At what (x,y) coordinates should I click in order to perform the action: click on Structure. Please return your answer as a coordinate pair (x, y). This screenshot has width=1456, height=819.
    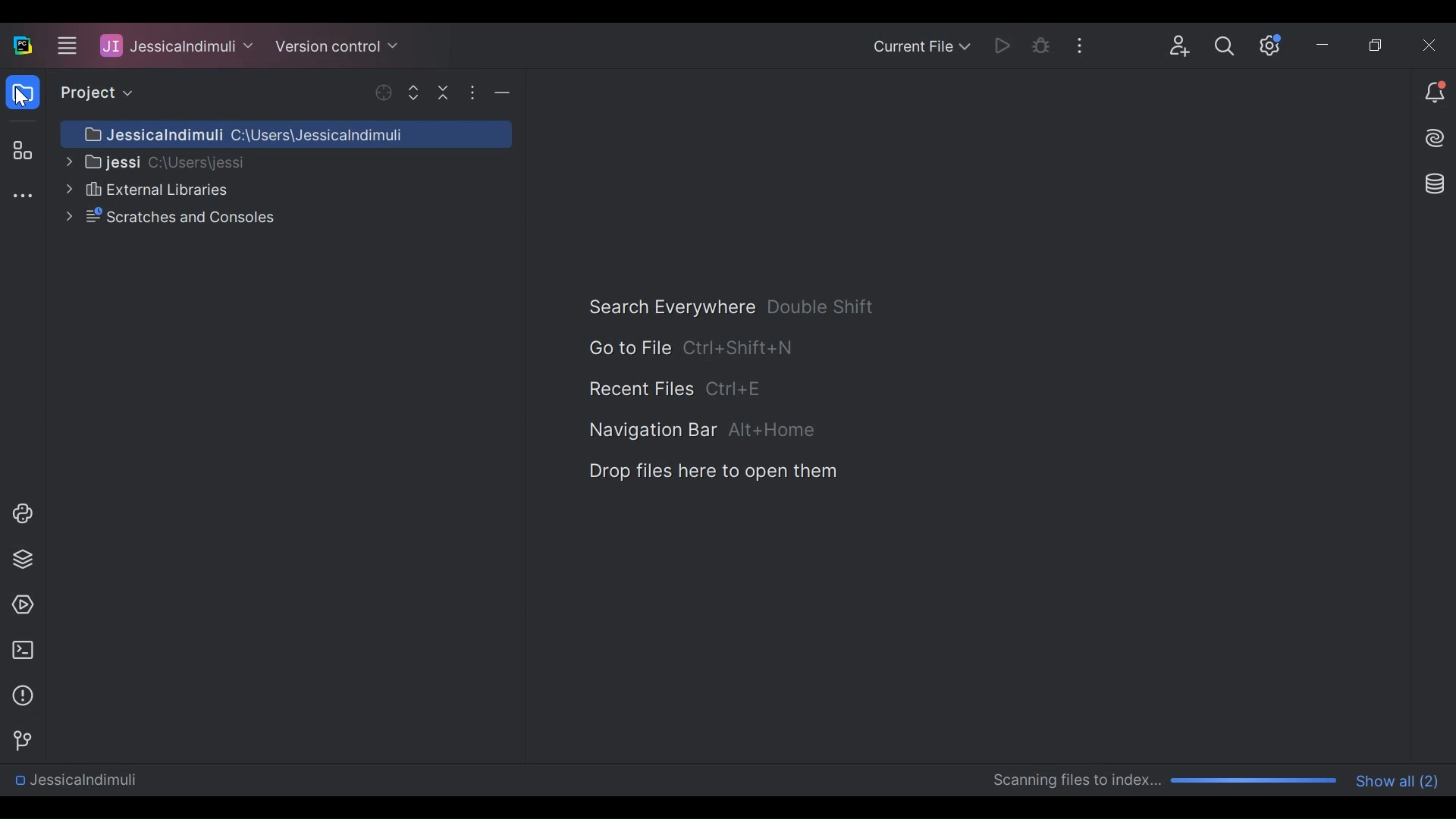
    Looking at the image, I should click on (18, 152).